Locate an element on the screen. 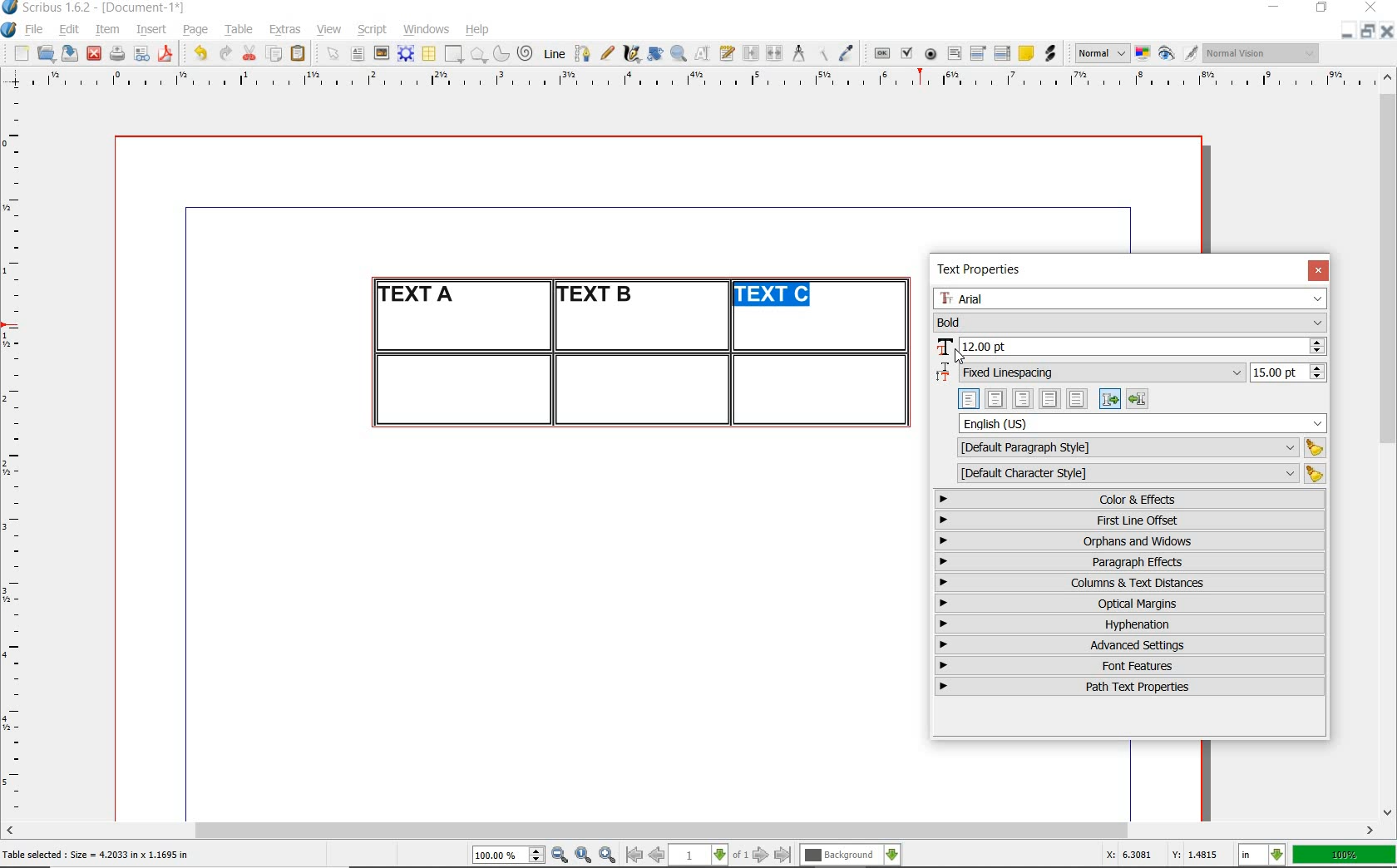 This screenshot has height=868, width=1397. copy is located at coordinates (275, 55).